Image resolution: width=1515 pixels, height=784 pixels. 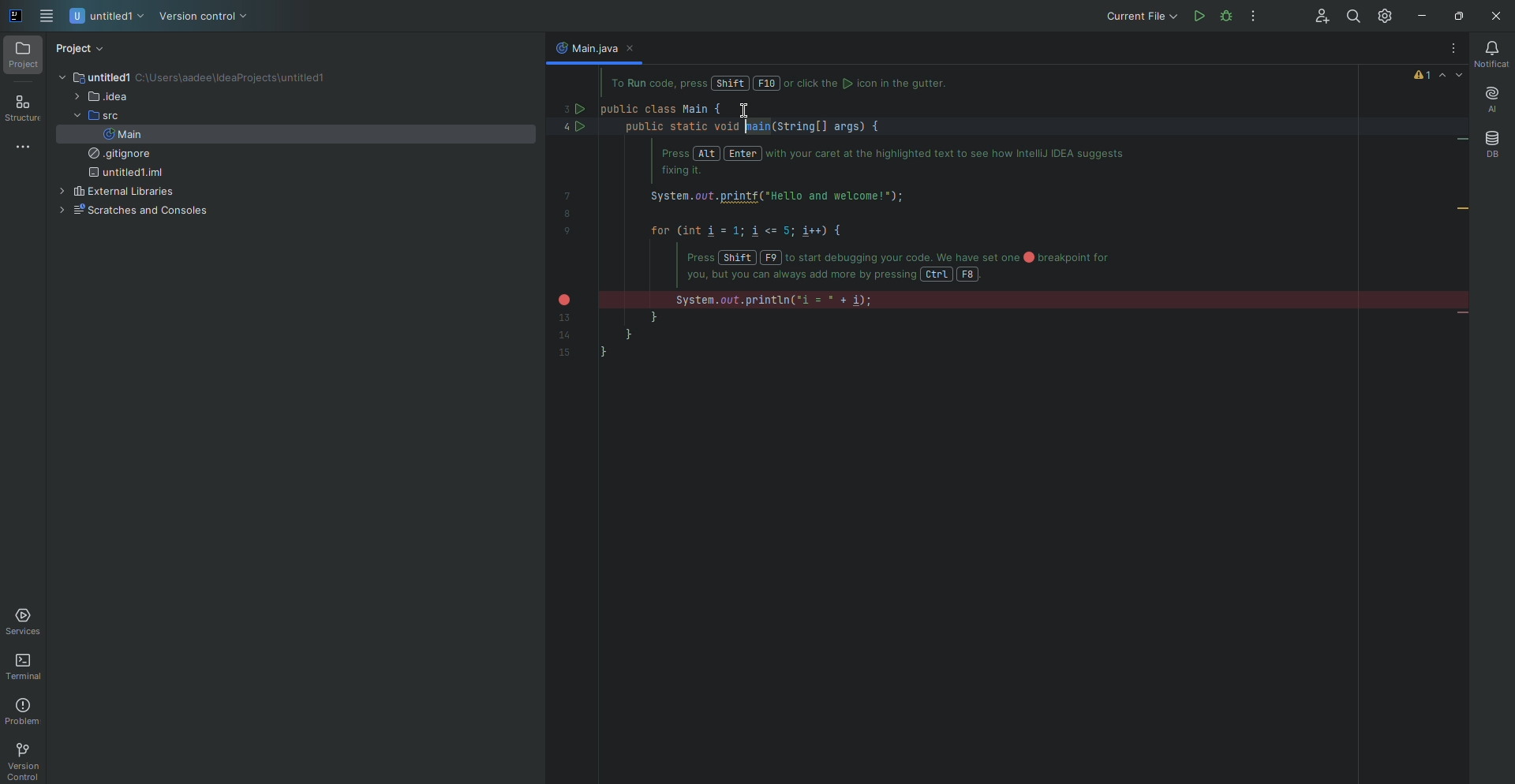 I want to click on close, so click(x=635, y=49).